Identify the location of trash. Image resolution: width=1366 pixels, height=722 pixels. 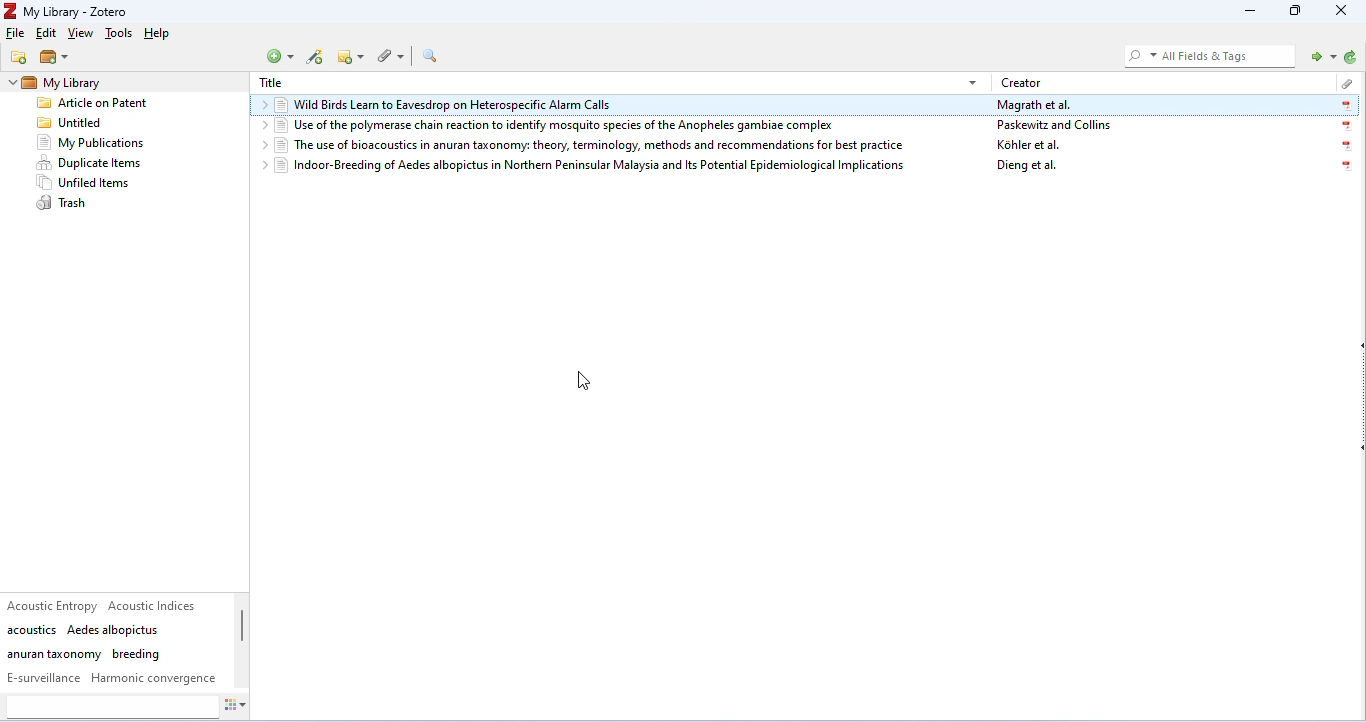
(63, 203).